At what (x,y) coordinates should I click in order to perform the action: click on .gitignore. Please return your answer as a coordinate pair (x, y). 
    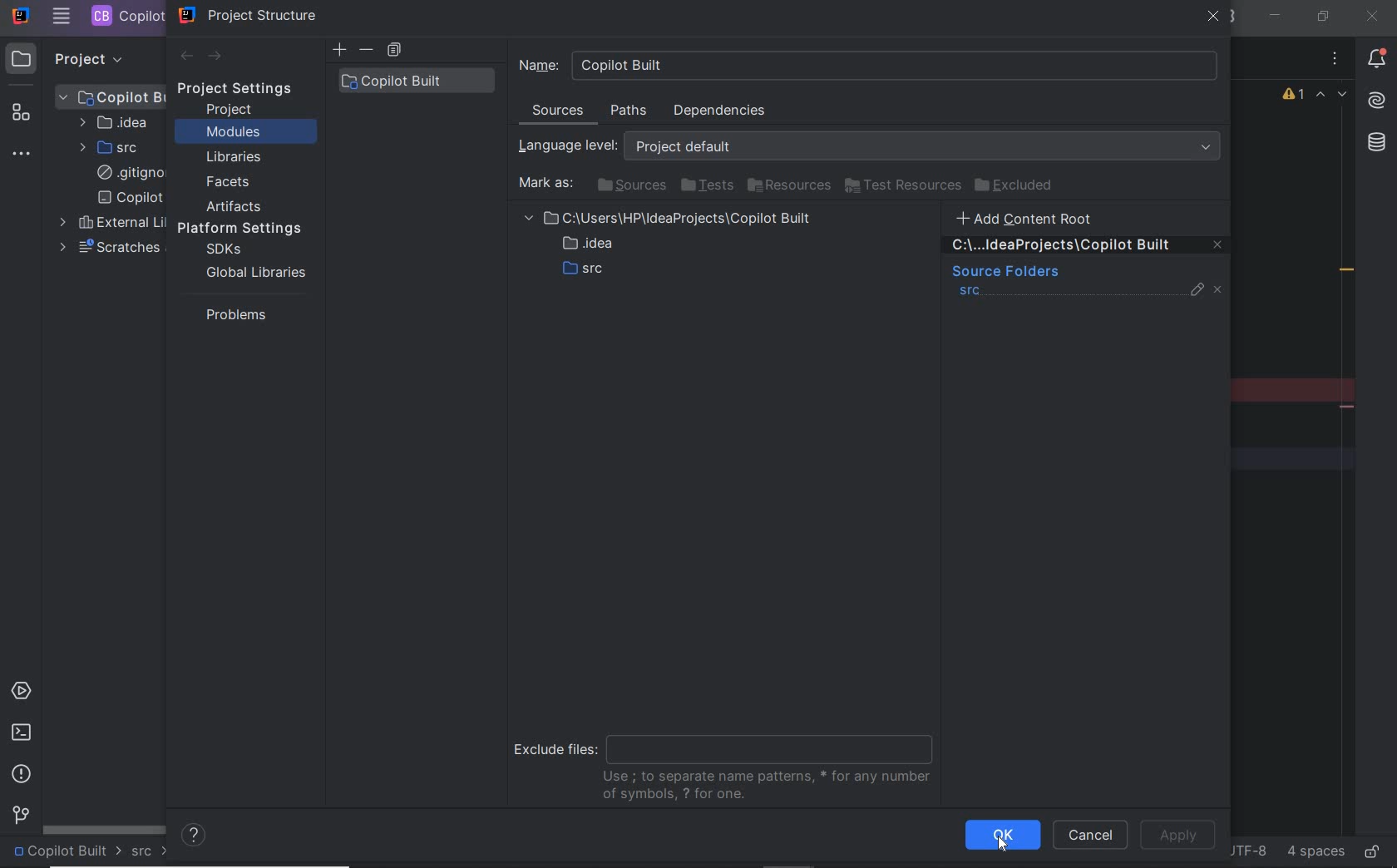
    Looking at the image, I should click on (127, 174).